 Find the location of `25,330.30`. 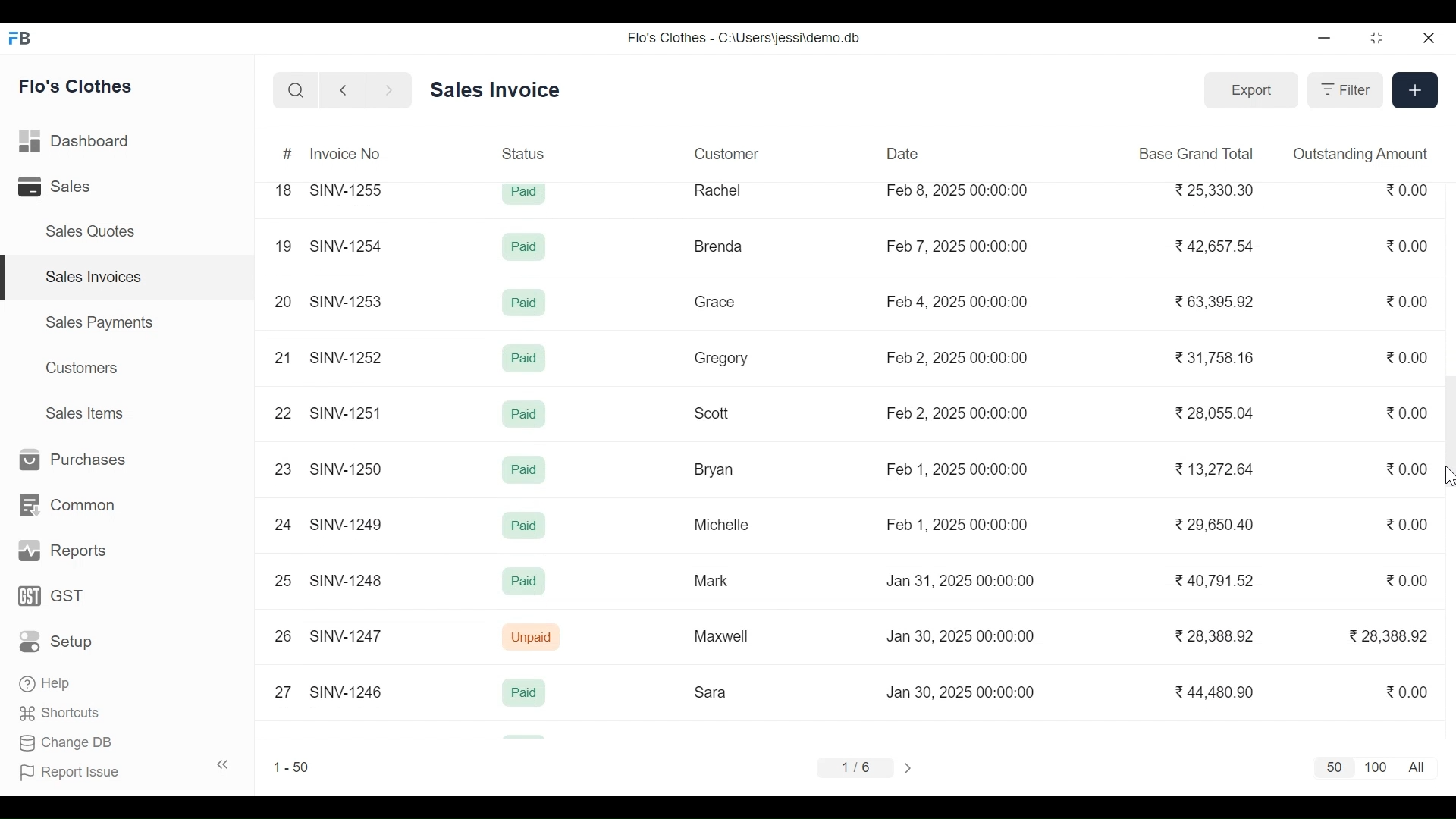

25,330.30 is located at coordinates (1217, 190).